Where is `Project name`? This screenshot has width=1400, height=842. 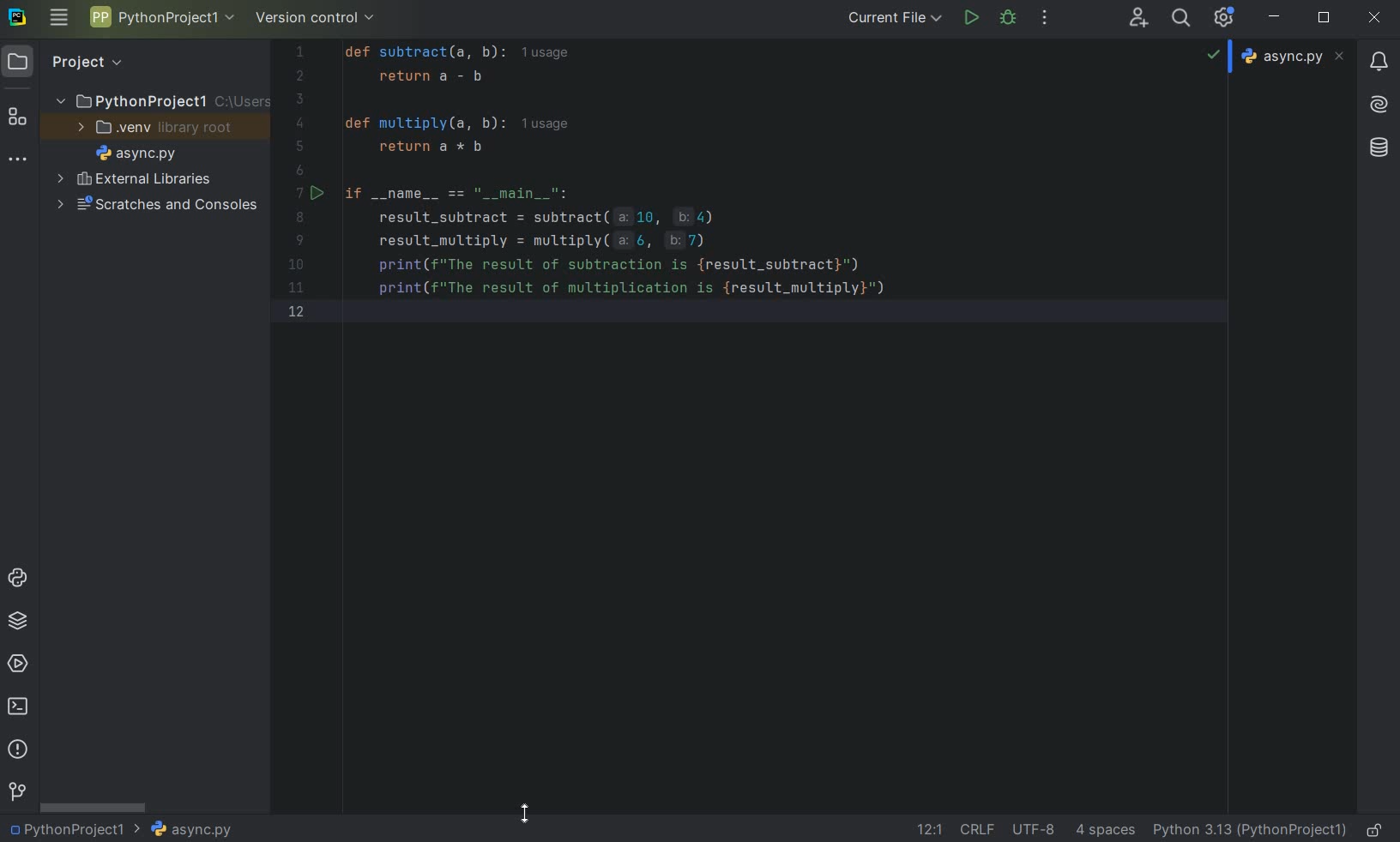 Project name is located at coordinates (75, 828).